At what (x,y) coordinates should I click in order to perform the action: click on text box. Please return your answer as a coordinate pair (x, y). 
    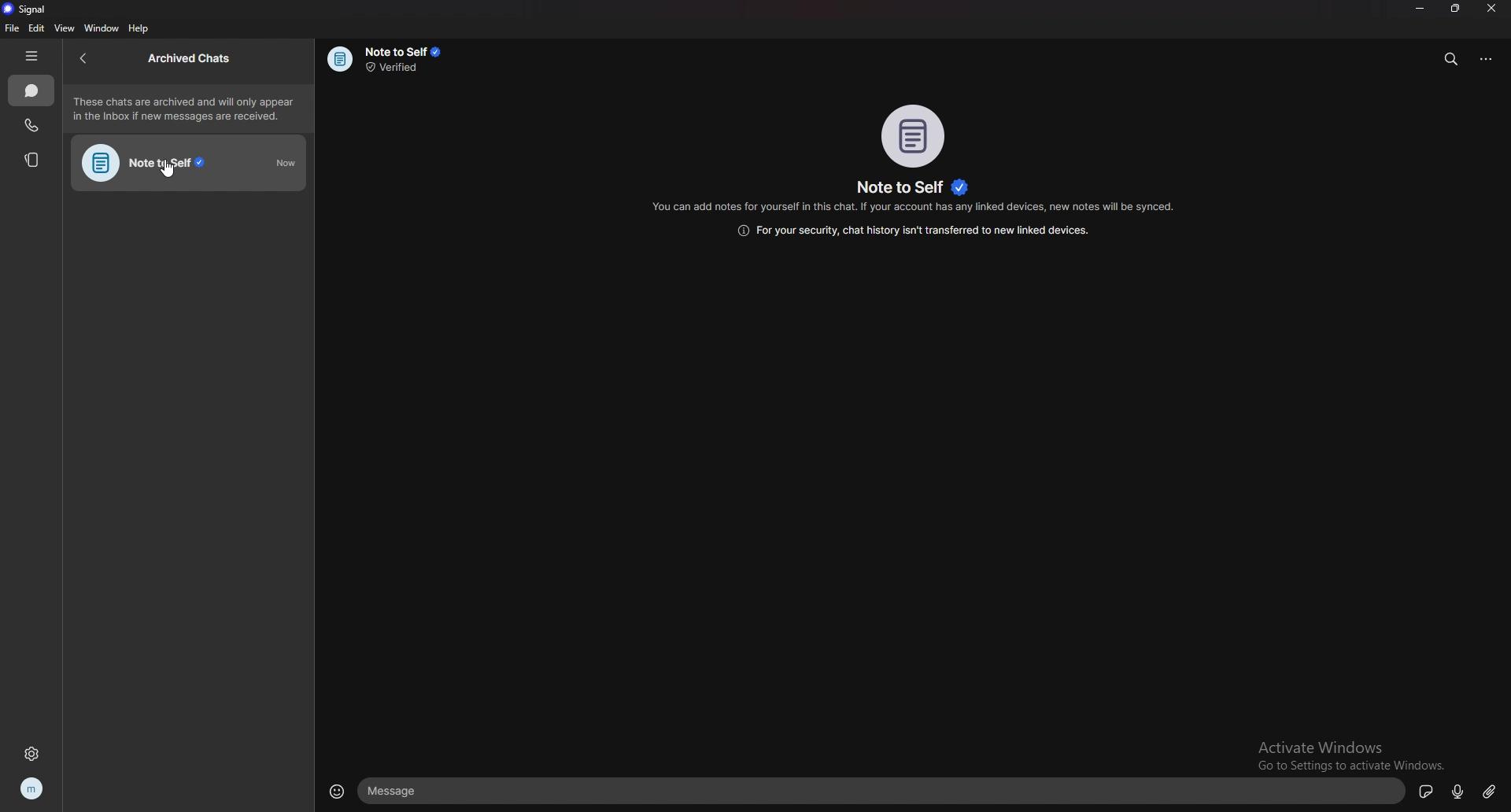
    Looking at the image, I should click on (885, 791).